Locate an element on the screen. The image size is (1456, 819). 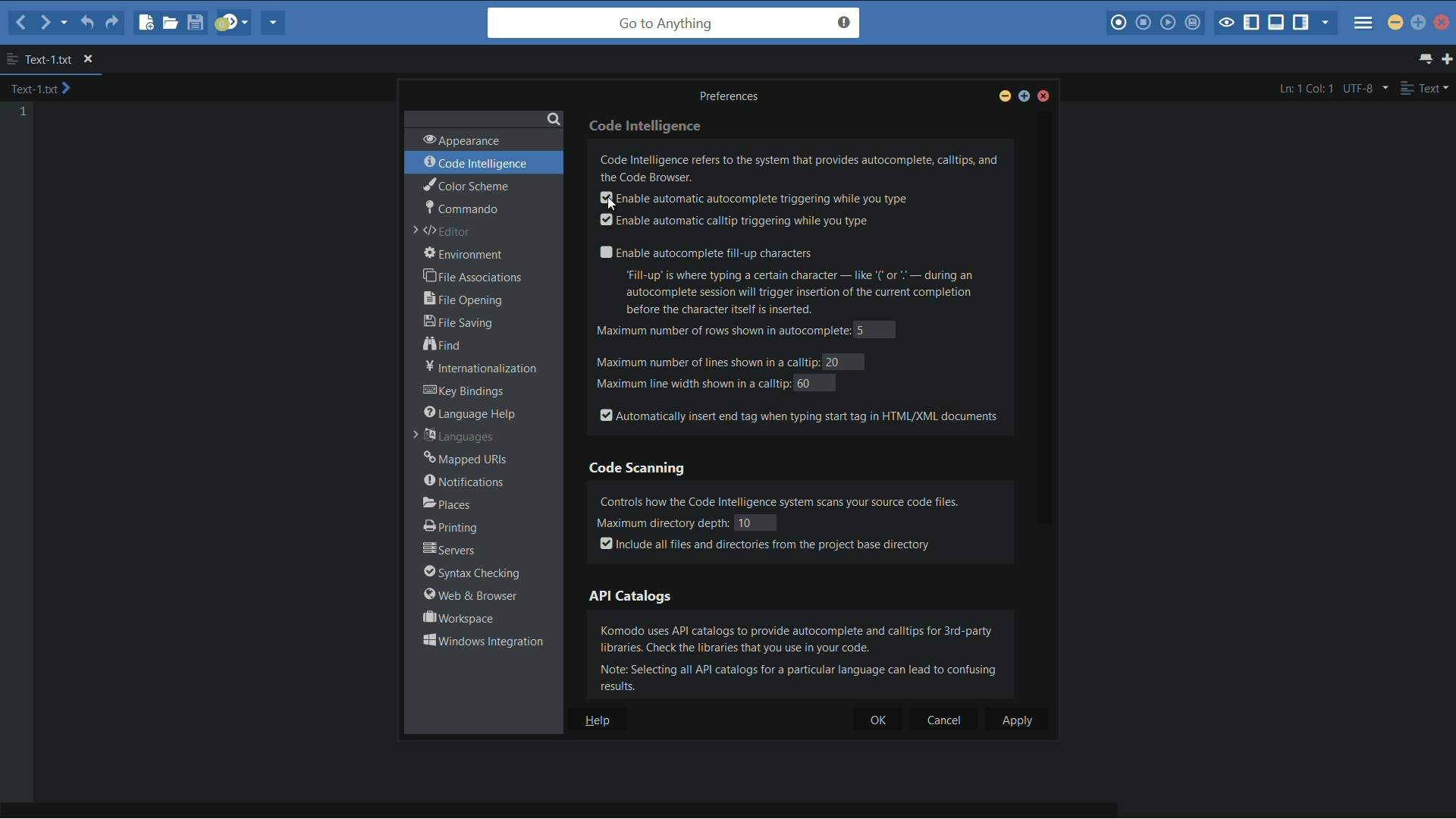
save macro to toolbox is located at coordinates (1191, 22).